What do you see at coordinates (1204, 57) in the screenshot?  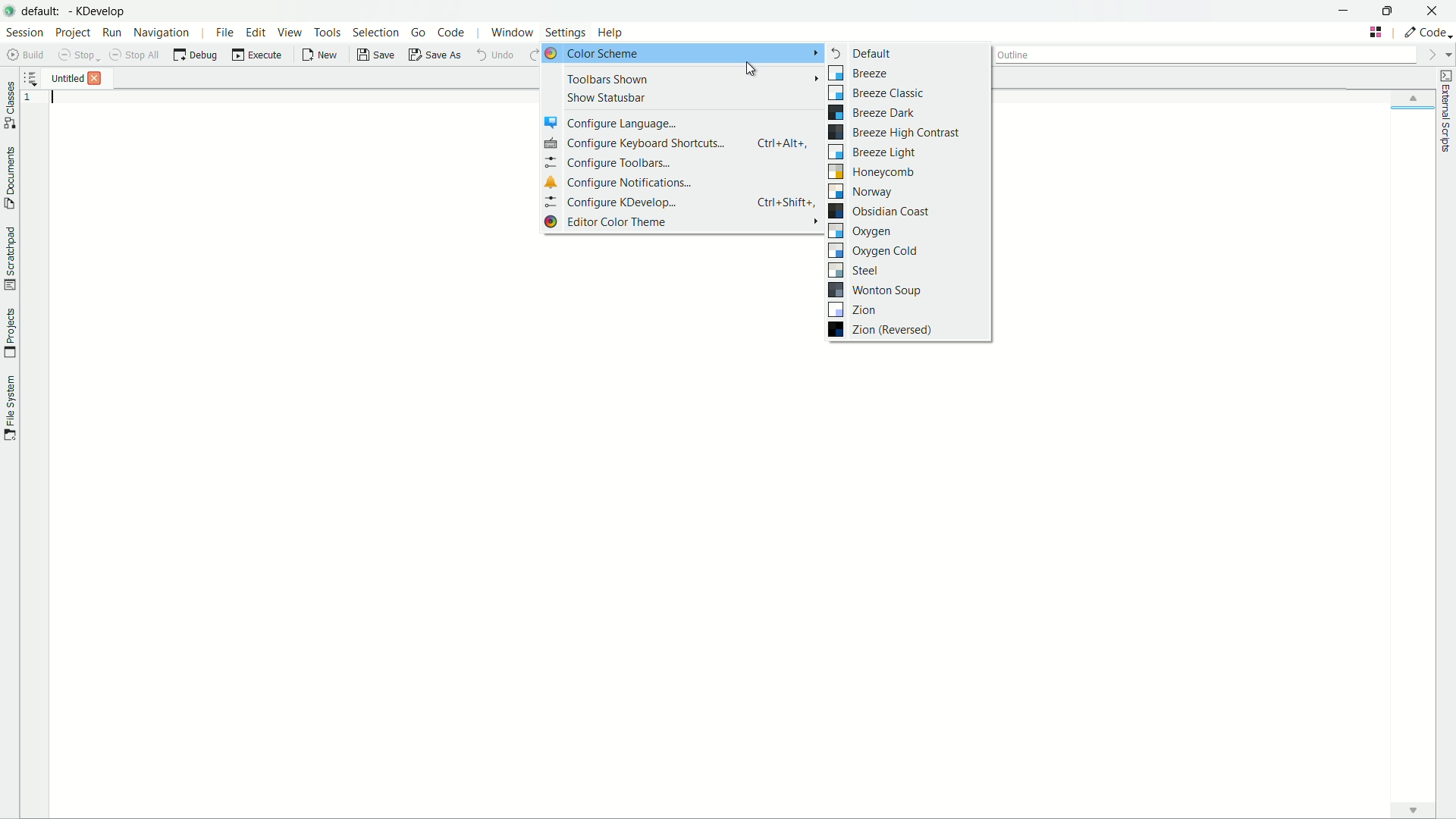 I see `outline` at bounding box center [1204, 57].